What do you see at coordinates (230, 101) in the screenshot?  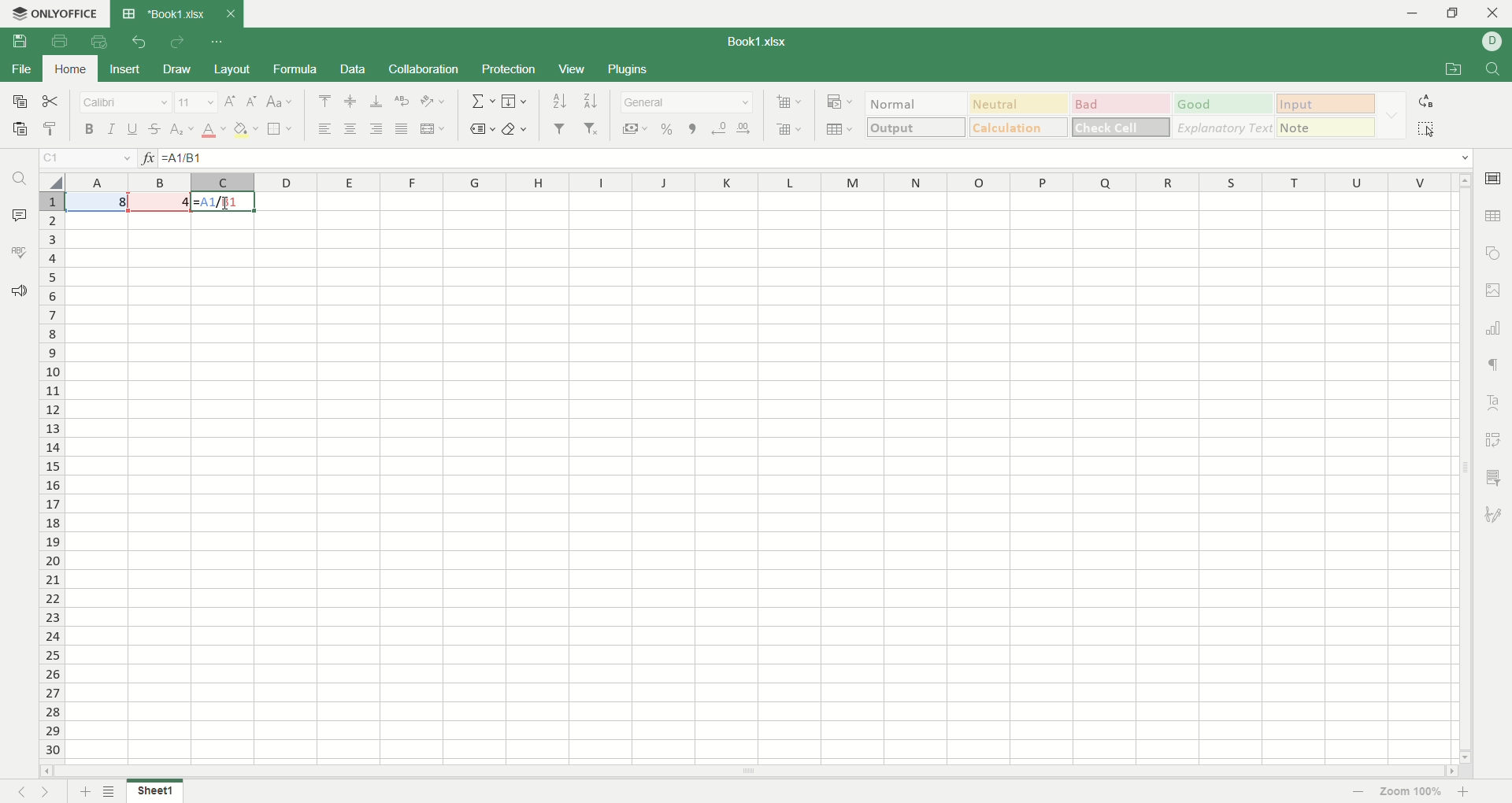 I see `increase font size` at bounding box center [230, 101].